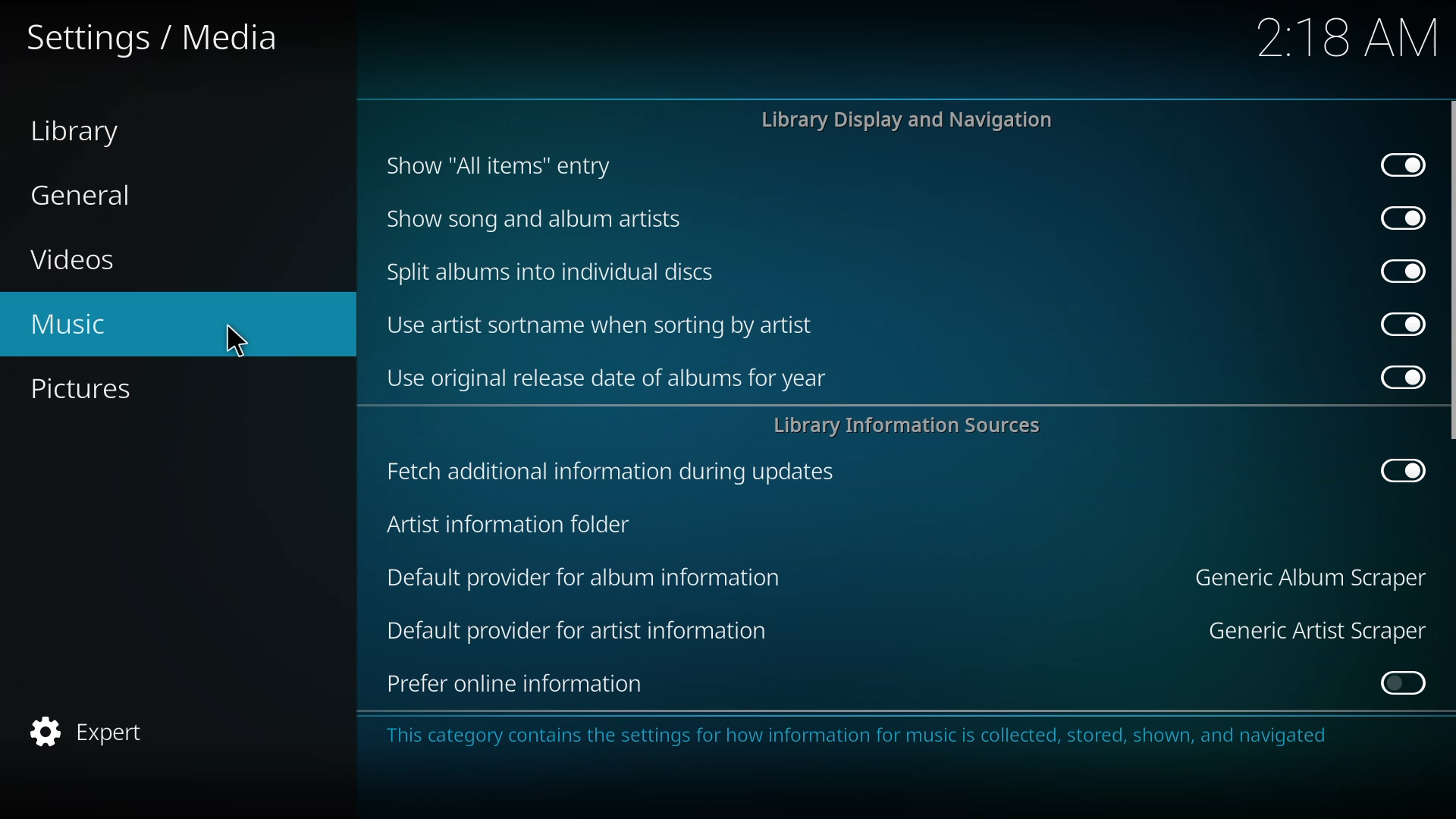  What do you see at coordinates (1453, 268) in the screenshot?
I see `scroll bar` at bounding box center [1453, 268].